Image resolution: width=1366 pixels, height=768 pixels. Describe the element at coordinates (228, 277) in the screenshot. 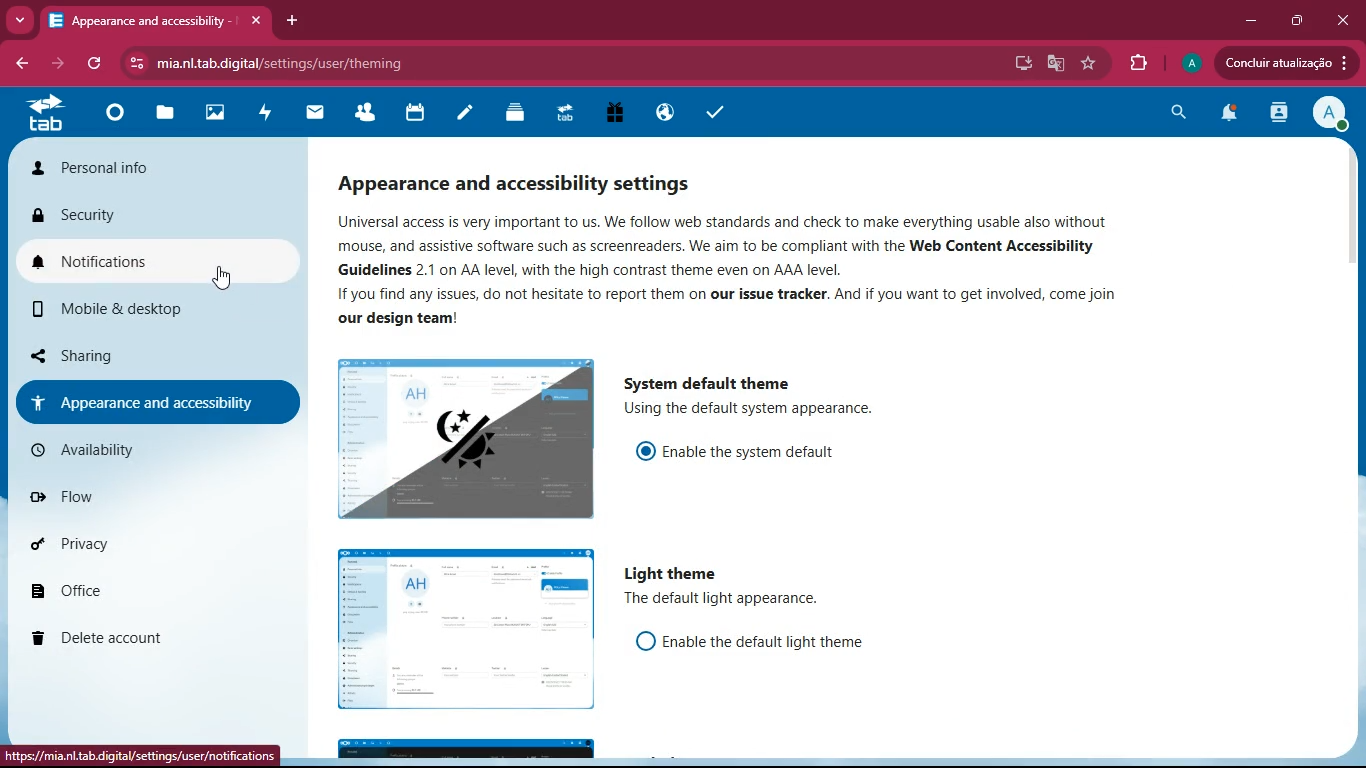

I see `cursor` at that location.